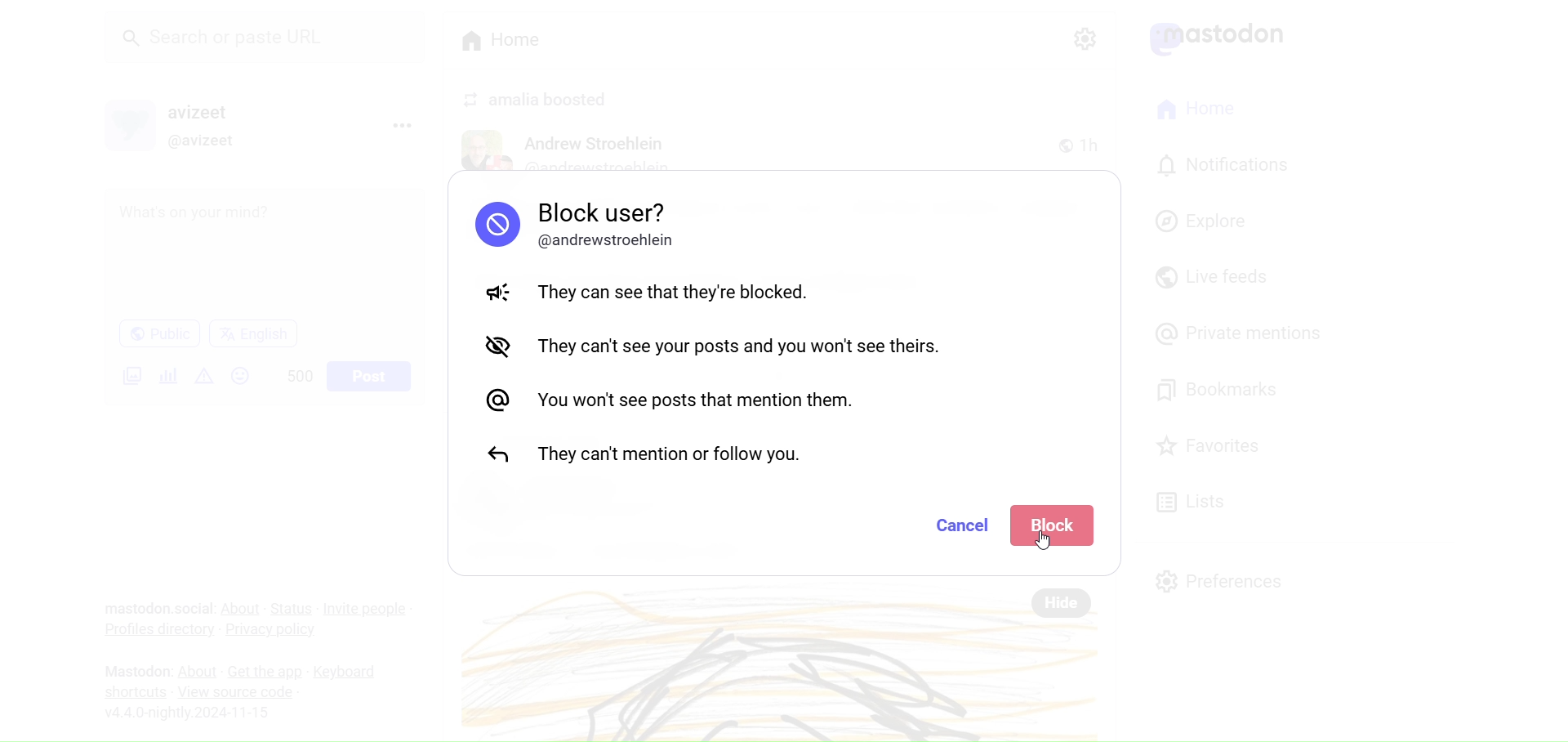 Image resolution: width=1568 pixels, height=742 pixels. What do you see at coordinates (785, 290) in the screenshot?
I see `They can see that the are blocked` at bounding box center [785, 290].